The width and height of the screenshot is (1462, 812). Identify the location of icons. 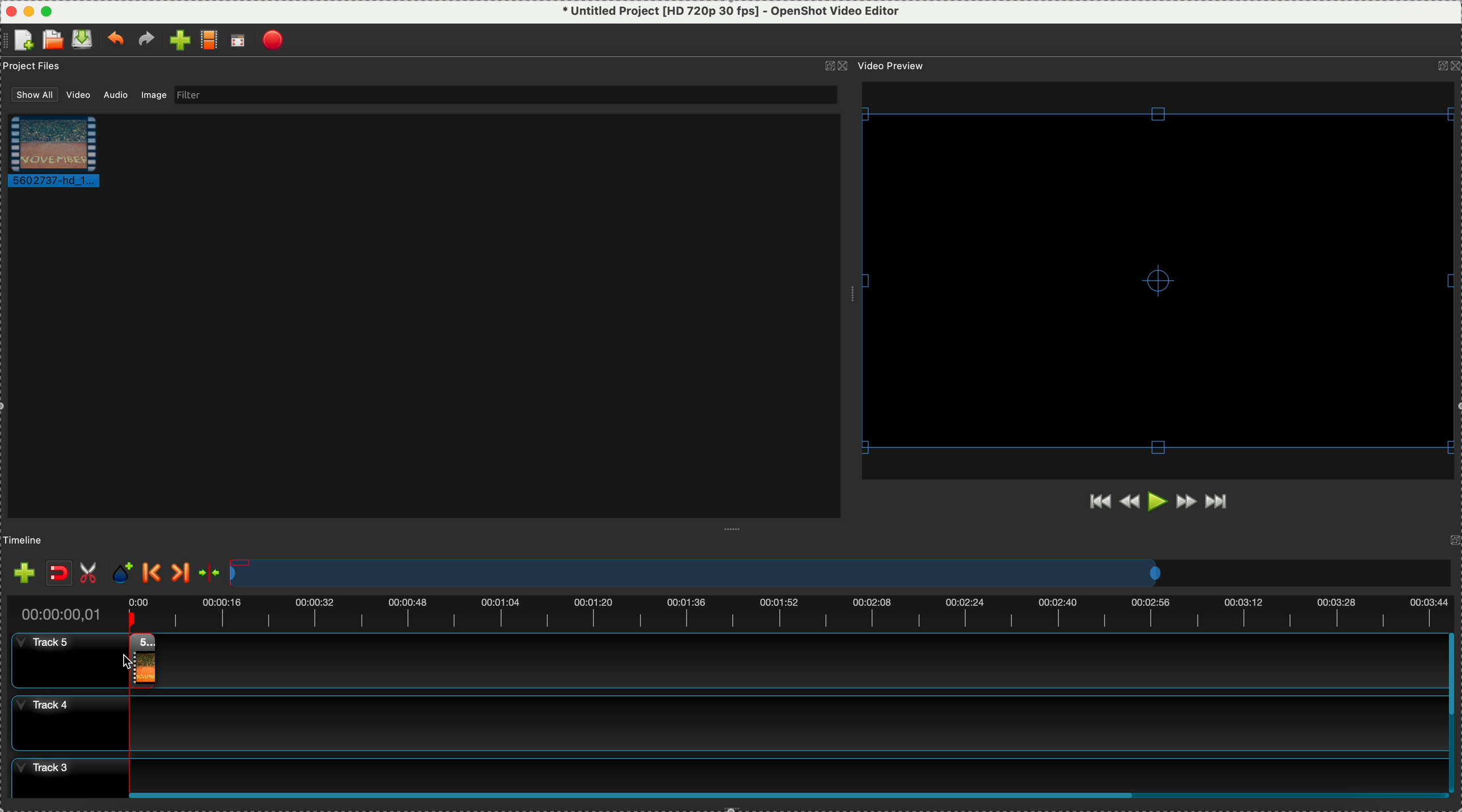
(835, 66).